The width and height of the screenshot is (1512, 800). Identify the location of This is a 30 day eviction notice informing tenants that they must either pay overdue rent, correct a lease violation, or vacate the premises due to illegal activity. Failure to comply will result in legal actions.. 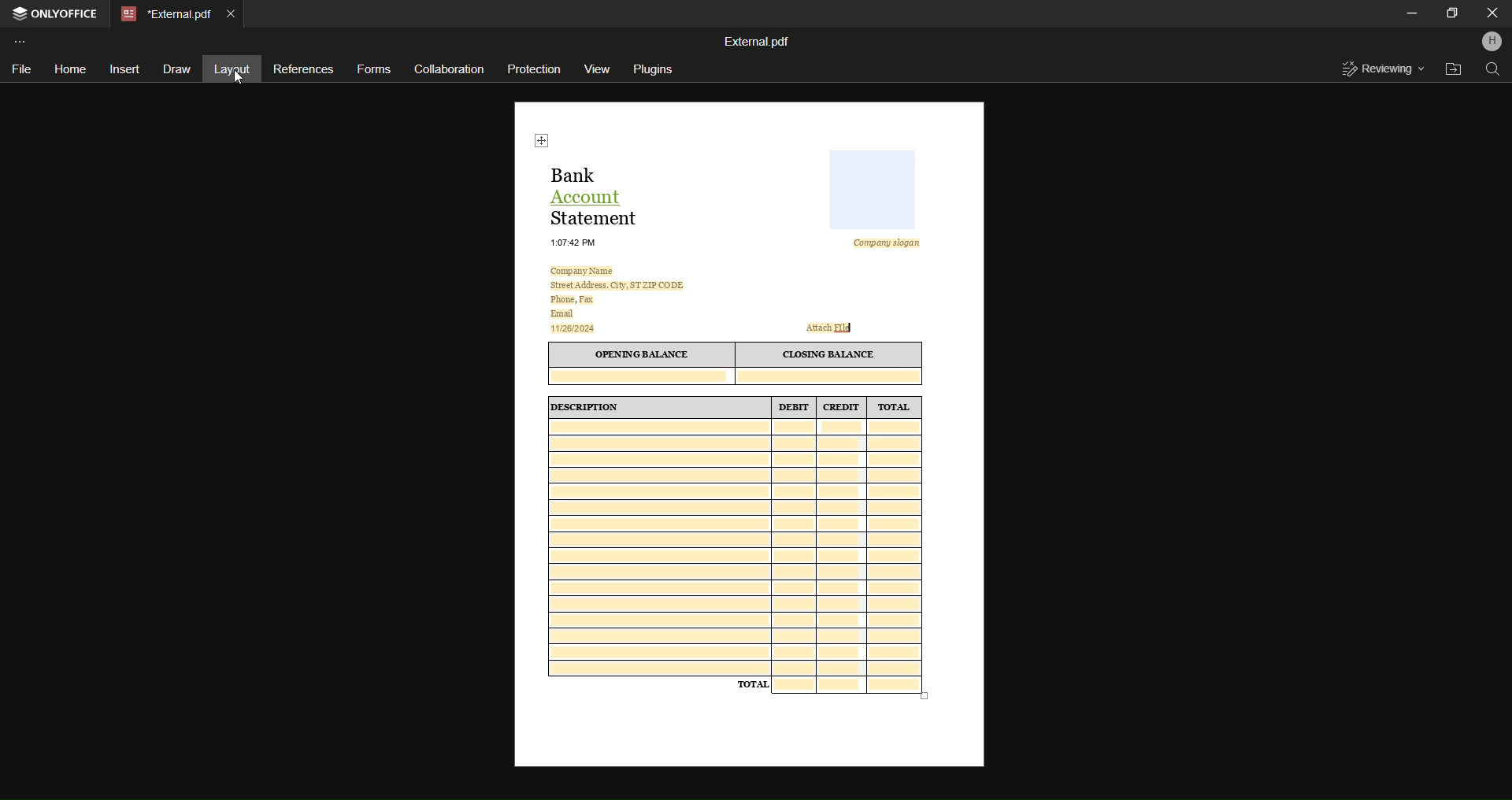
(748, 435).